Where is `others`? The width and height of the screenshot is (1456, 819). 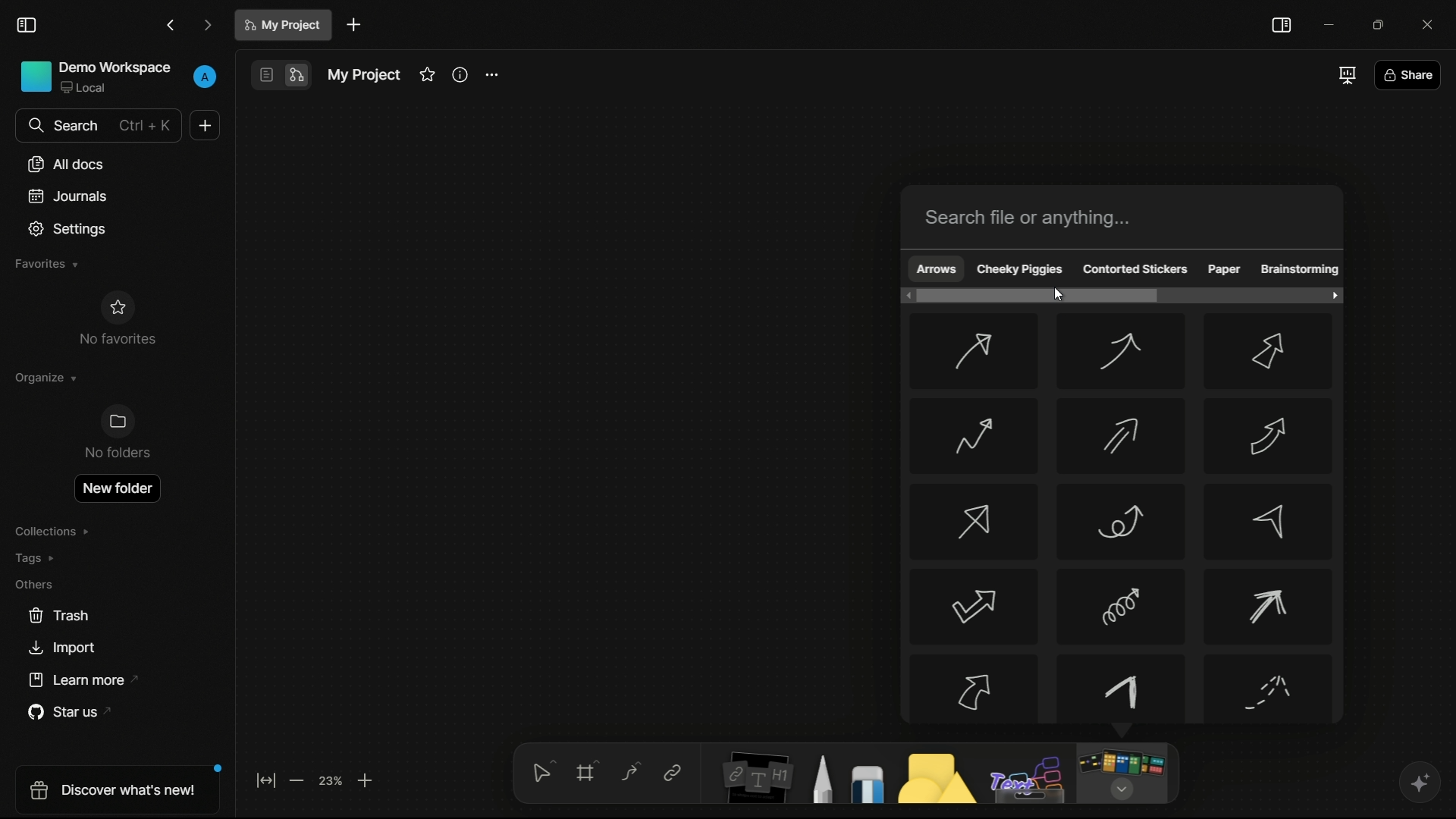 others is located at coordinates (1029, 780).